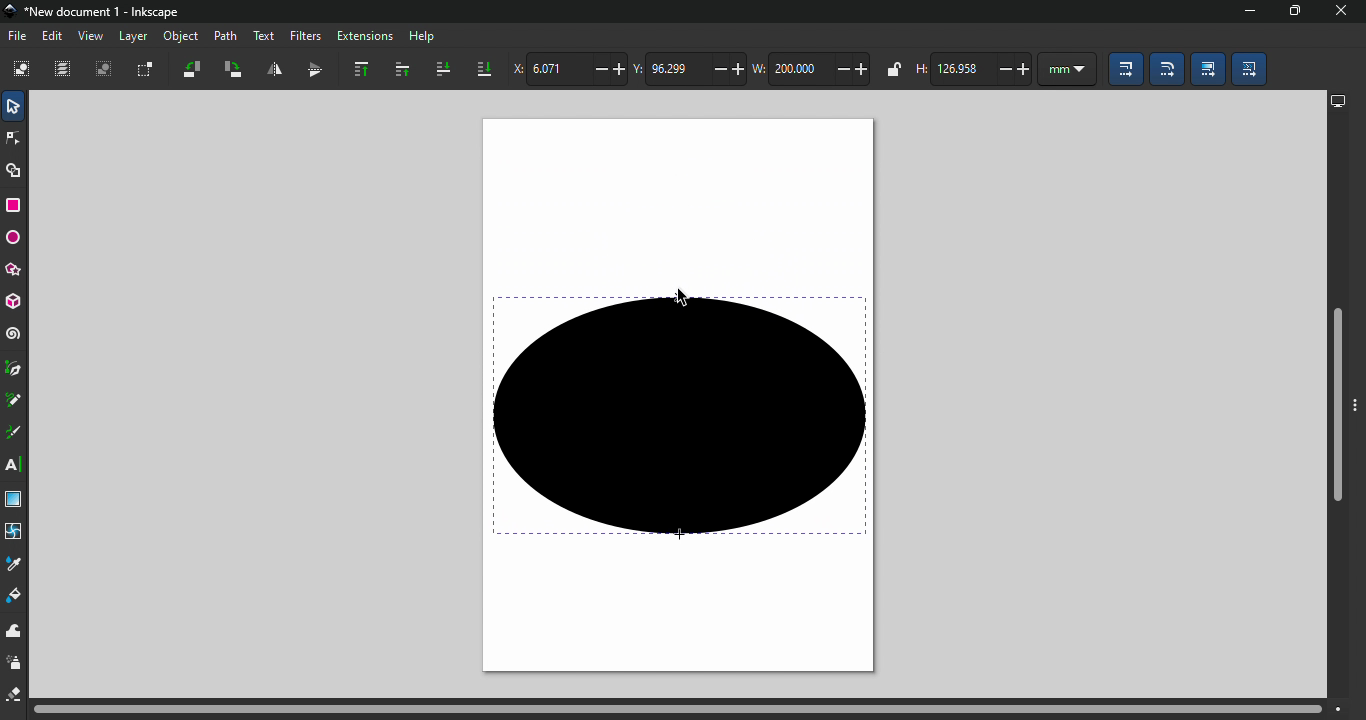 The height and width of the screenshot is (720, 1366). I want to click on Horizontal scroll bar, so click(689, 710).